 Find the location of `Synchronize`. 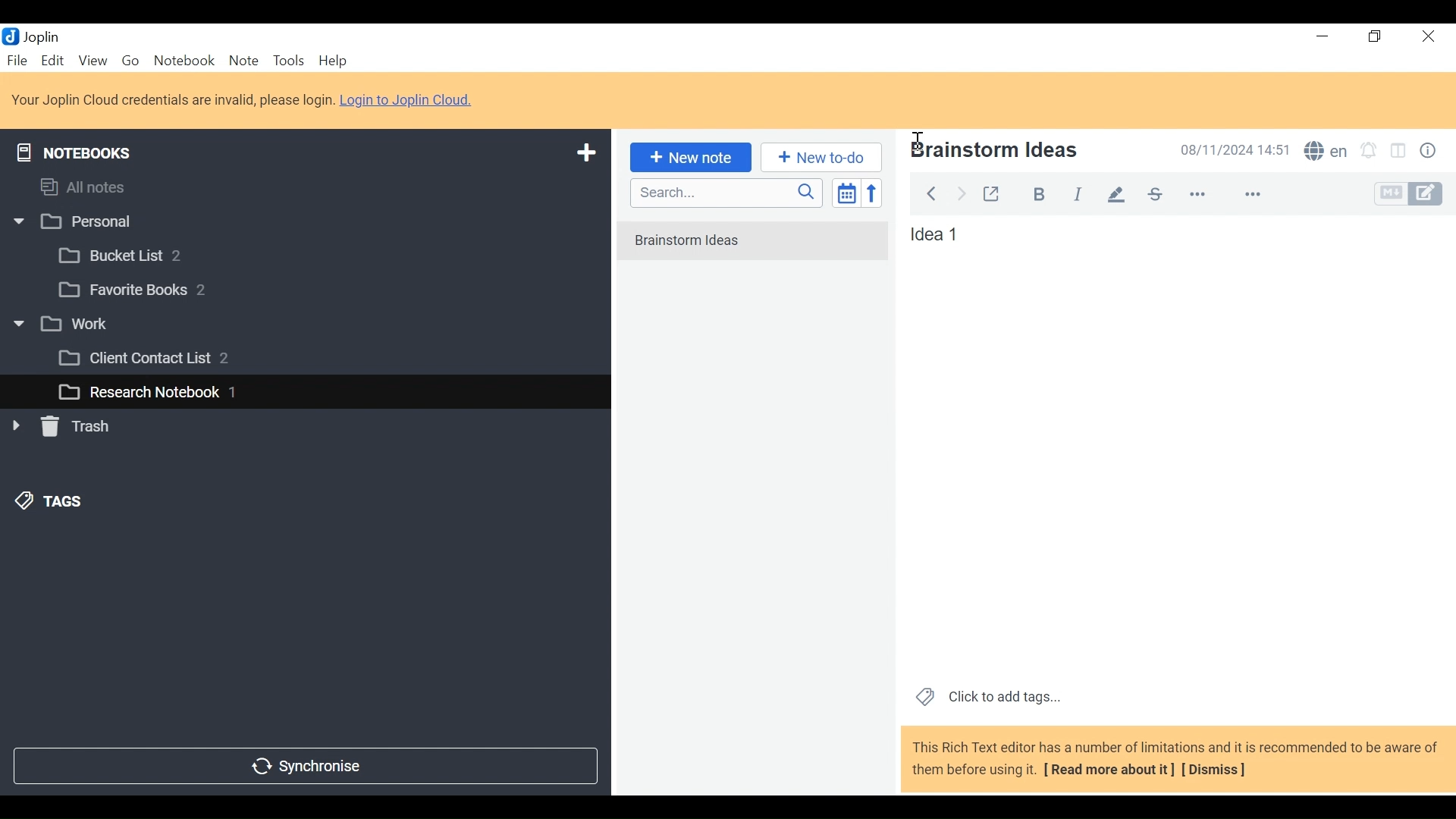

Synchronize is located at coordinates (304, 764).